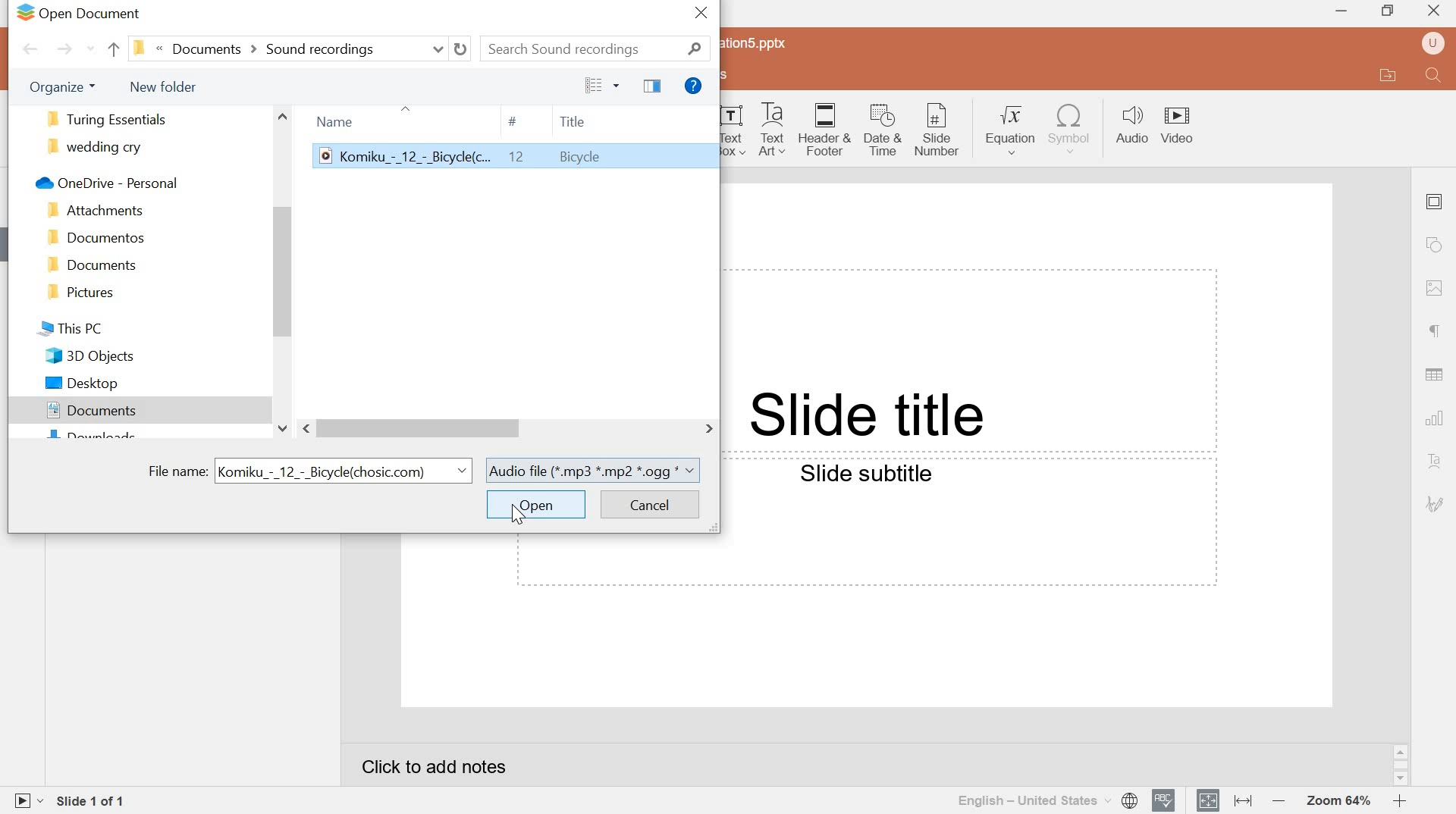 The image size is (1456, 814). I want to click on recent locations, so click(89, 50).